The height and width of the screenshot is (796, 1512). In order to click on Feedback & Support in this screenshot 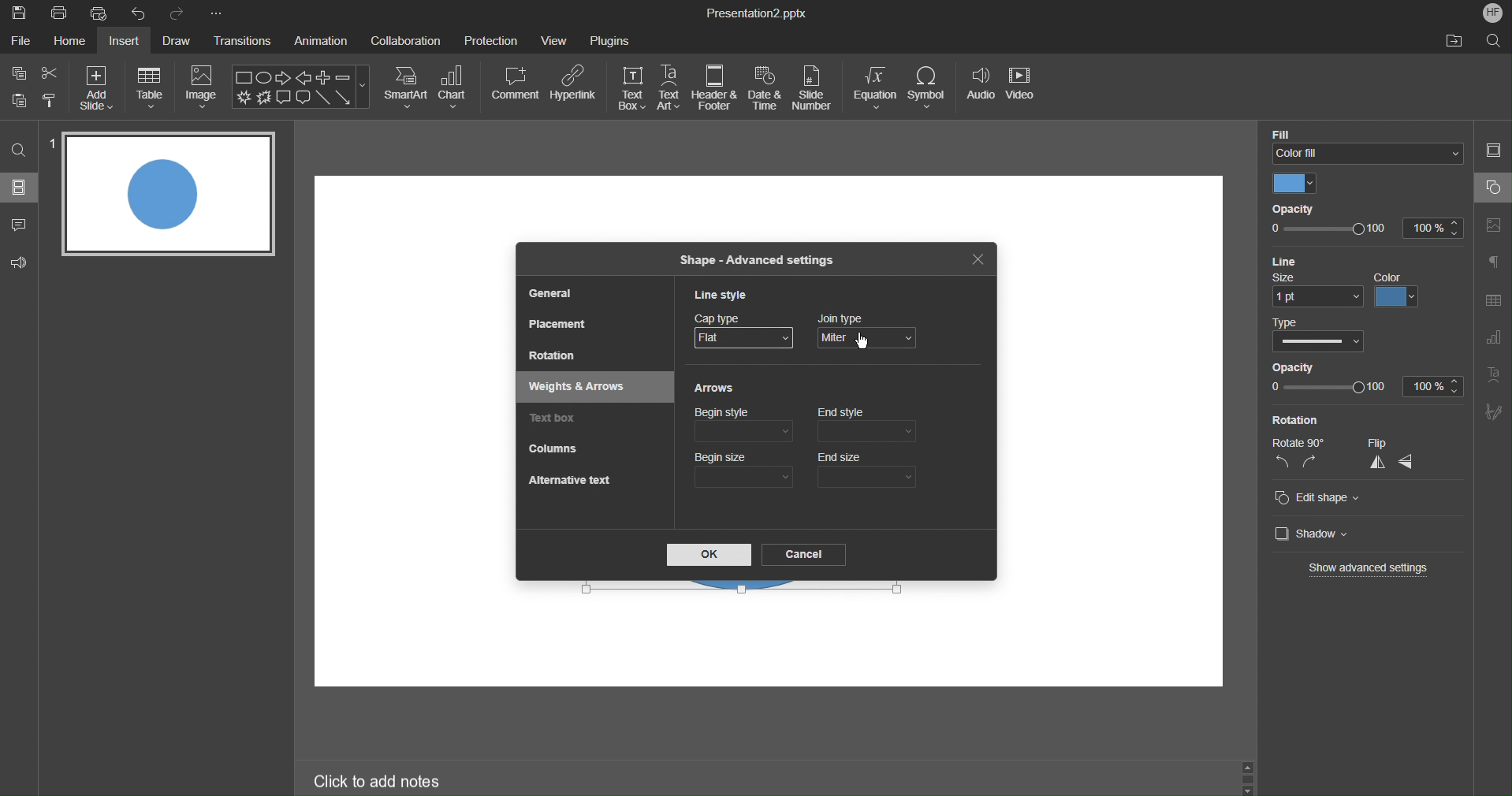, I will do `click(20, 261)`.